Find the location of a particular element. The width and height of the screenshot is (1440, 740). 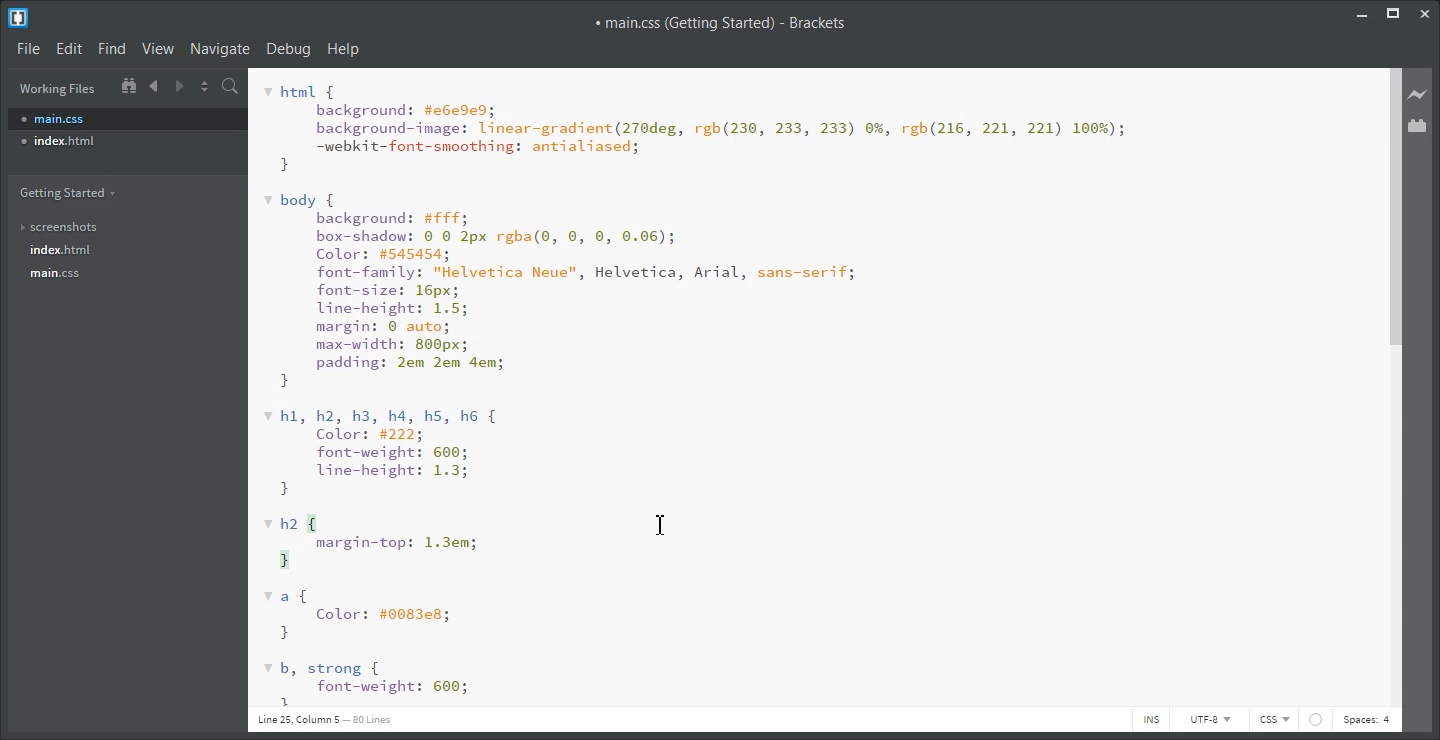

Find in files is located at coordinates (232, 86).